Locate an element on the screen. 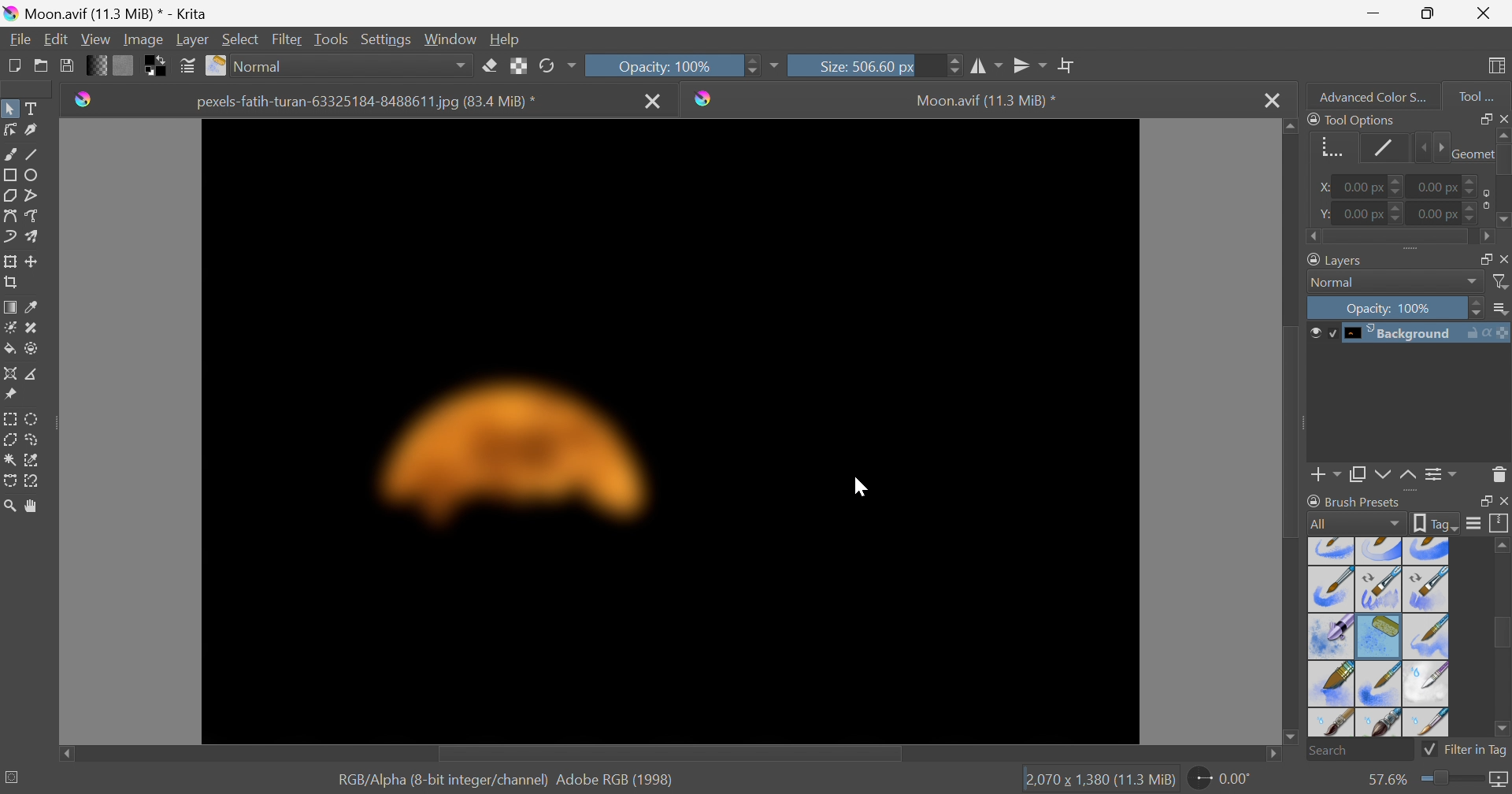 The width and height of the screenshot is (1512, 794). All is located at coordinates (1354, 525).